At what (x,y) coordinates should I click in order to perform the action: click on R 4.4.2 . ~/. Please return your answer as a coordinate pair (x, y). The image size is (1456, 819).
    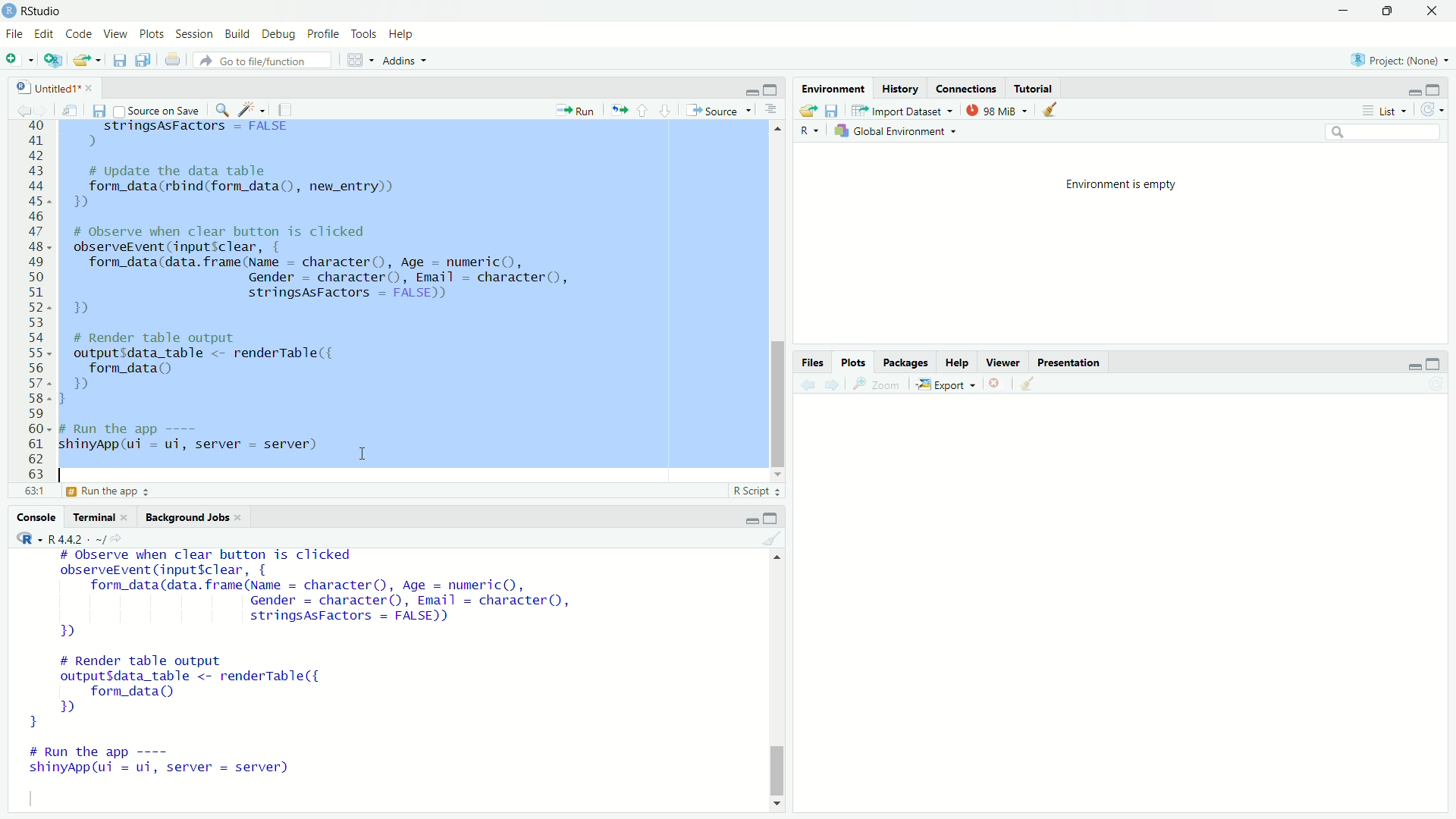
    Looking at the image, I should click on (77, 538).